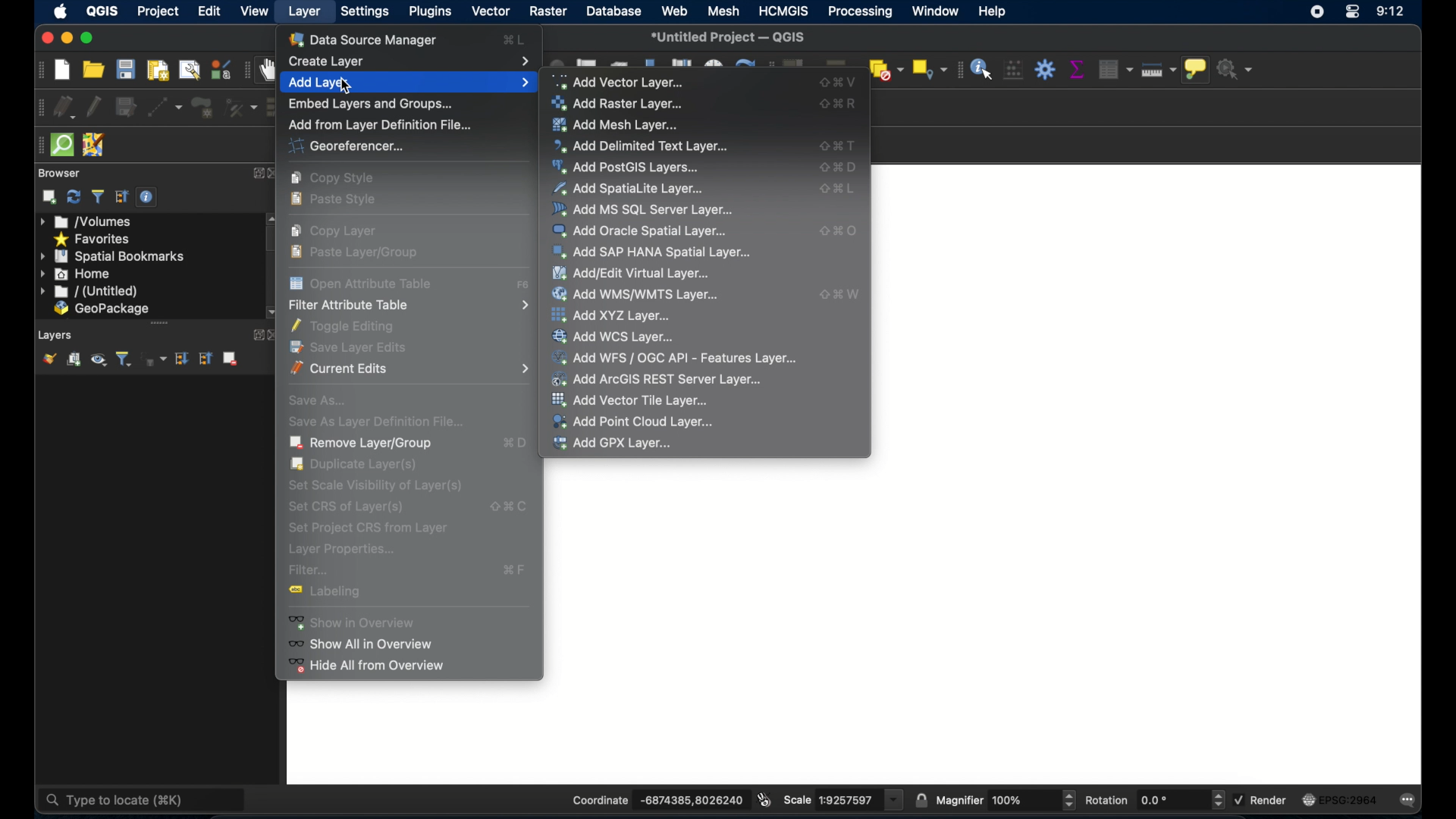 The image size is (1456, 819). Describe the element at coordinates (158, 361) in the screenshot. I see `filter legend by expression` at that location.